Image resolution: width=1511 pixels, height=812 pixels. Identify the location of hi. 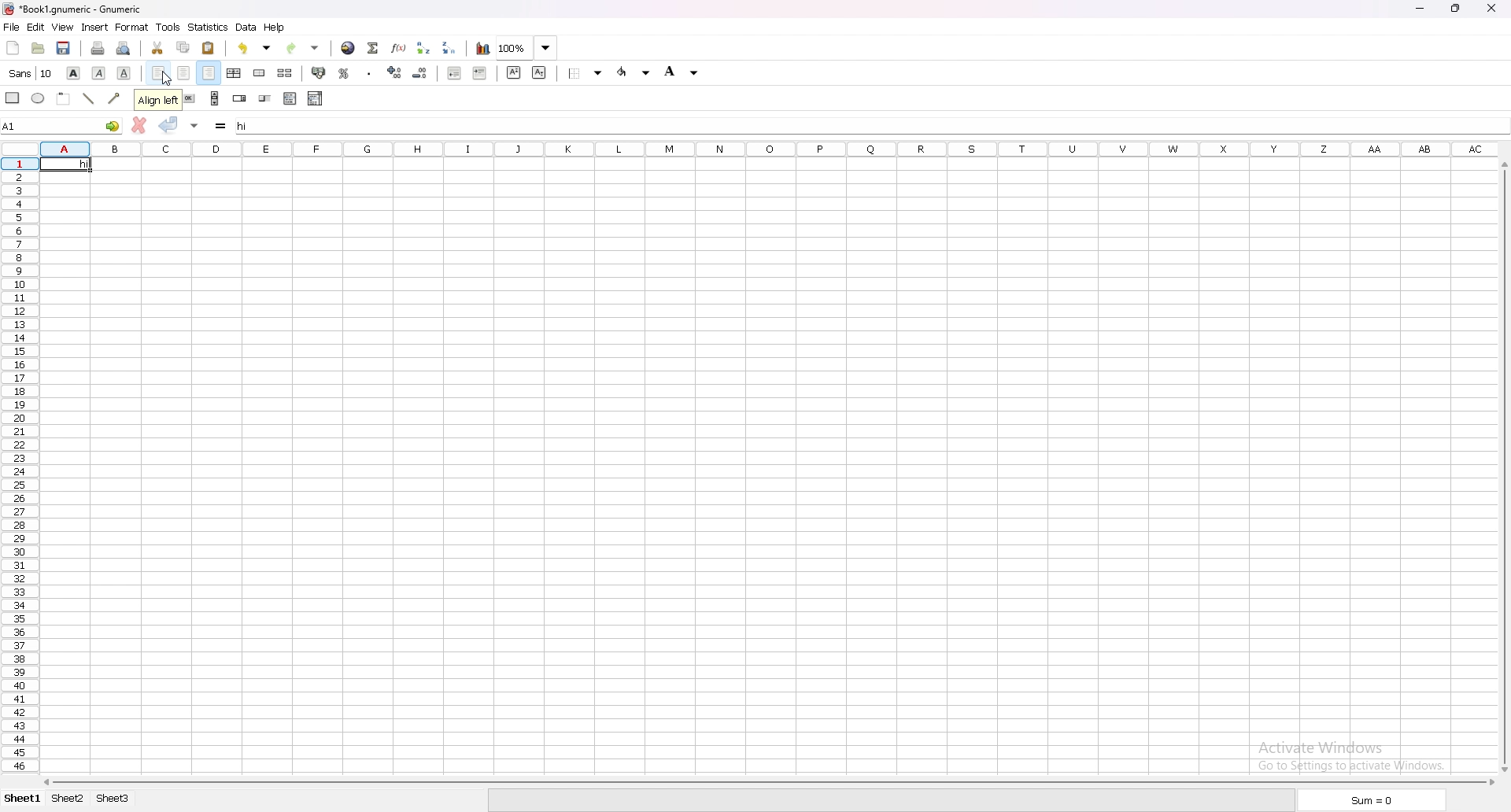
(65, 164).